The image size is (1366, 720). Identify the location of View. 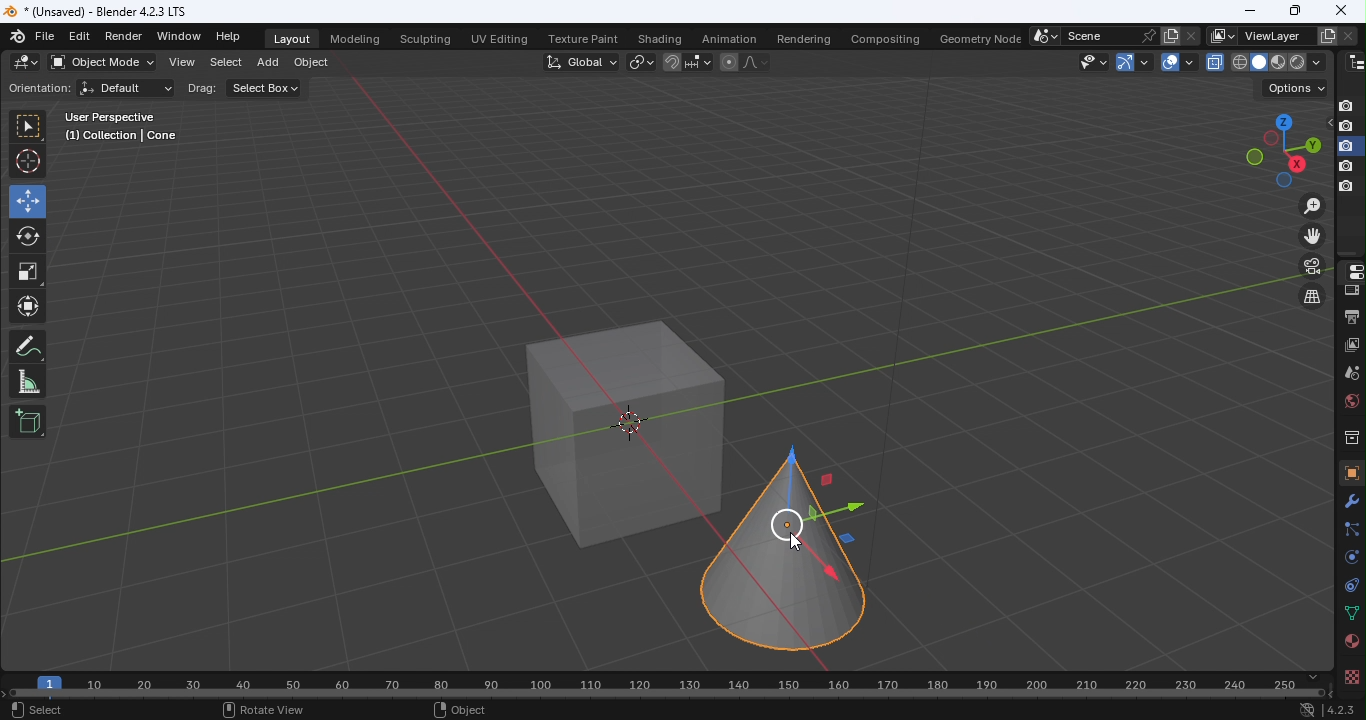
(180, 64).